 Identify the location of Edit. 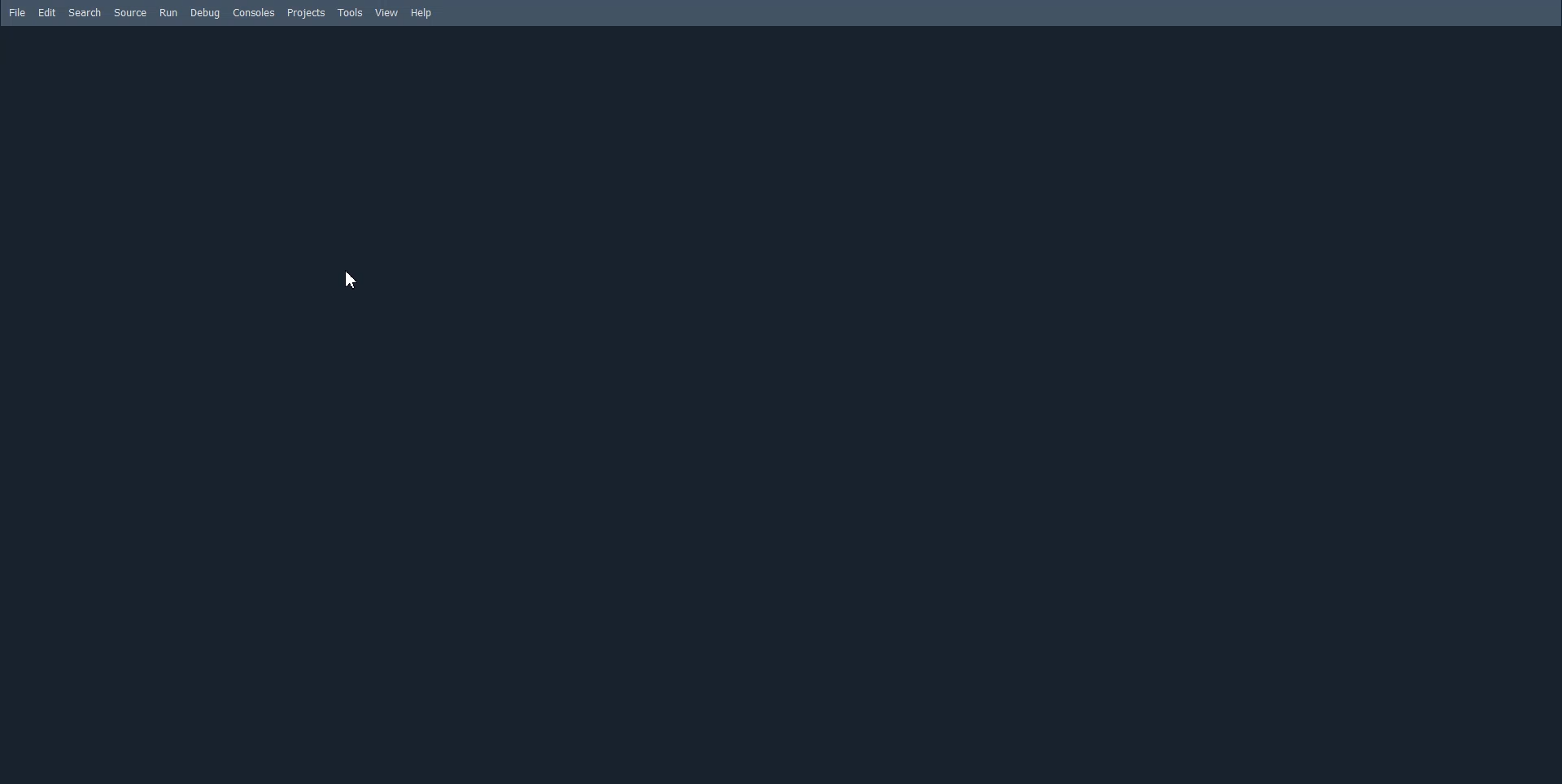
(47, 12).